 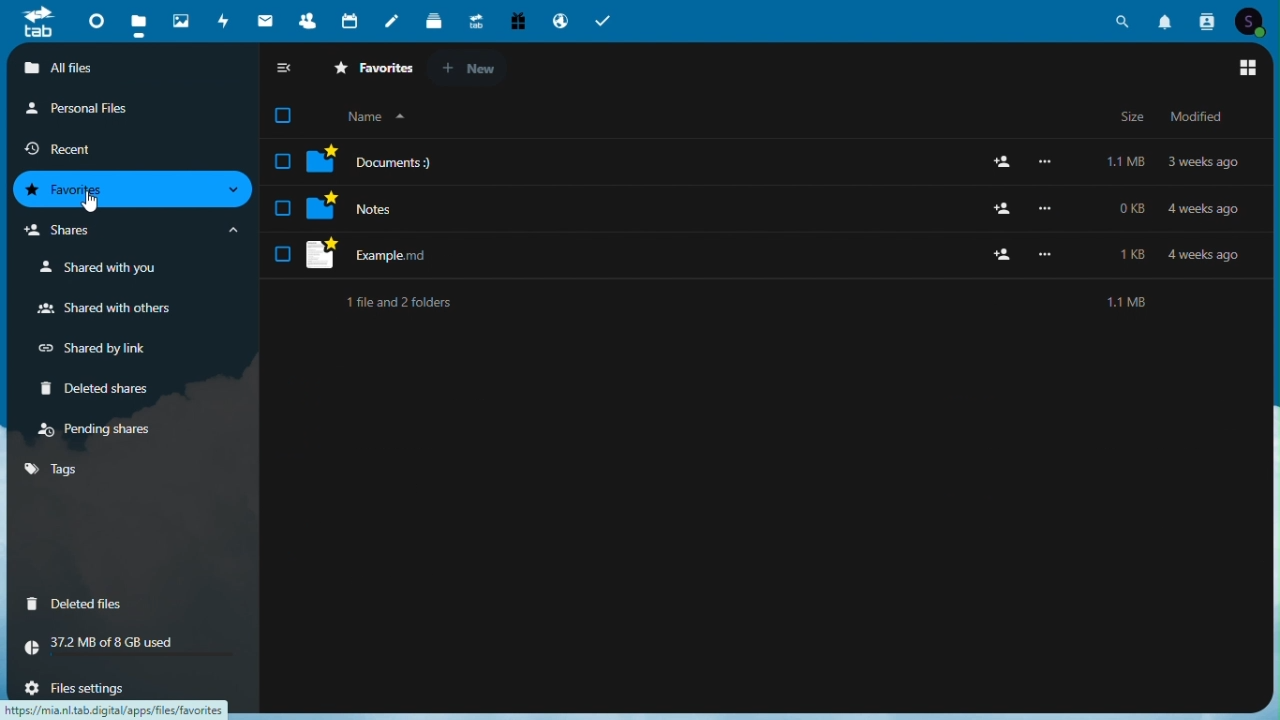 What do you see at coordinates (93, 348) in the screenshot?
I see `Shared by link` at bounding box center [93, 348].